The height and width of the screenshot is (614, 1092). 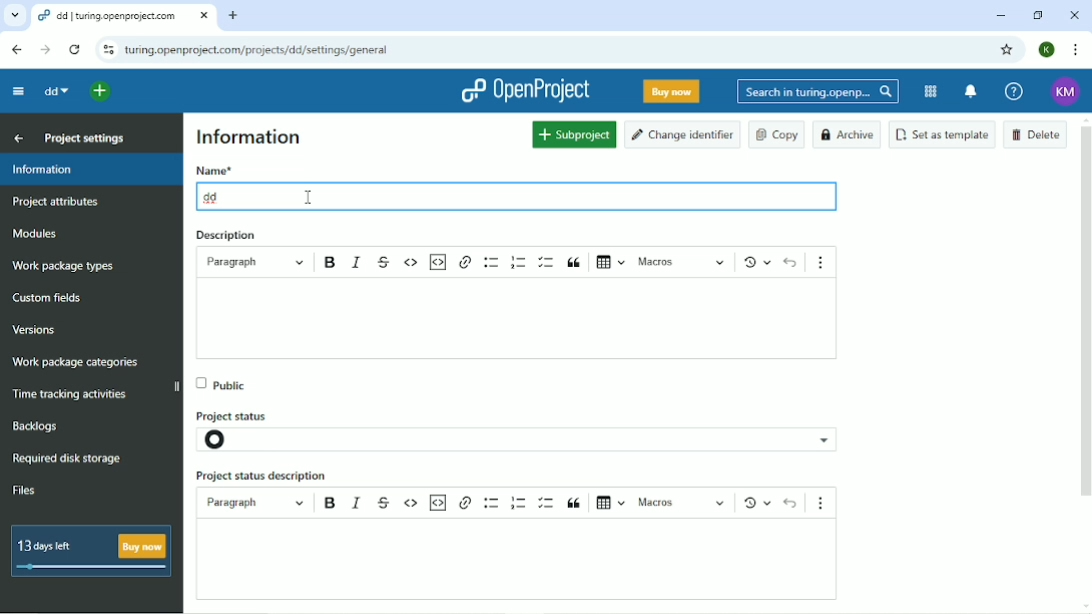 I want to click on Numbered list, so click(x=518, y=261).